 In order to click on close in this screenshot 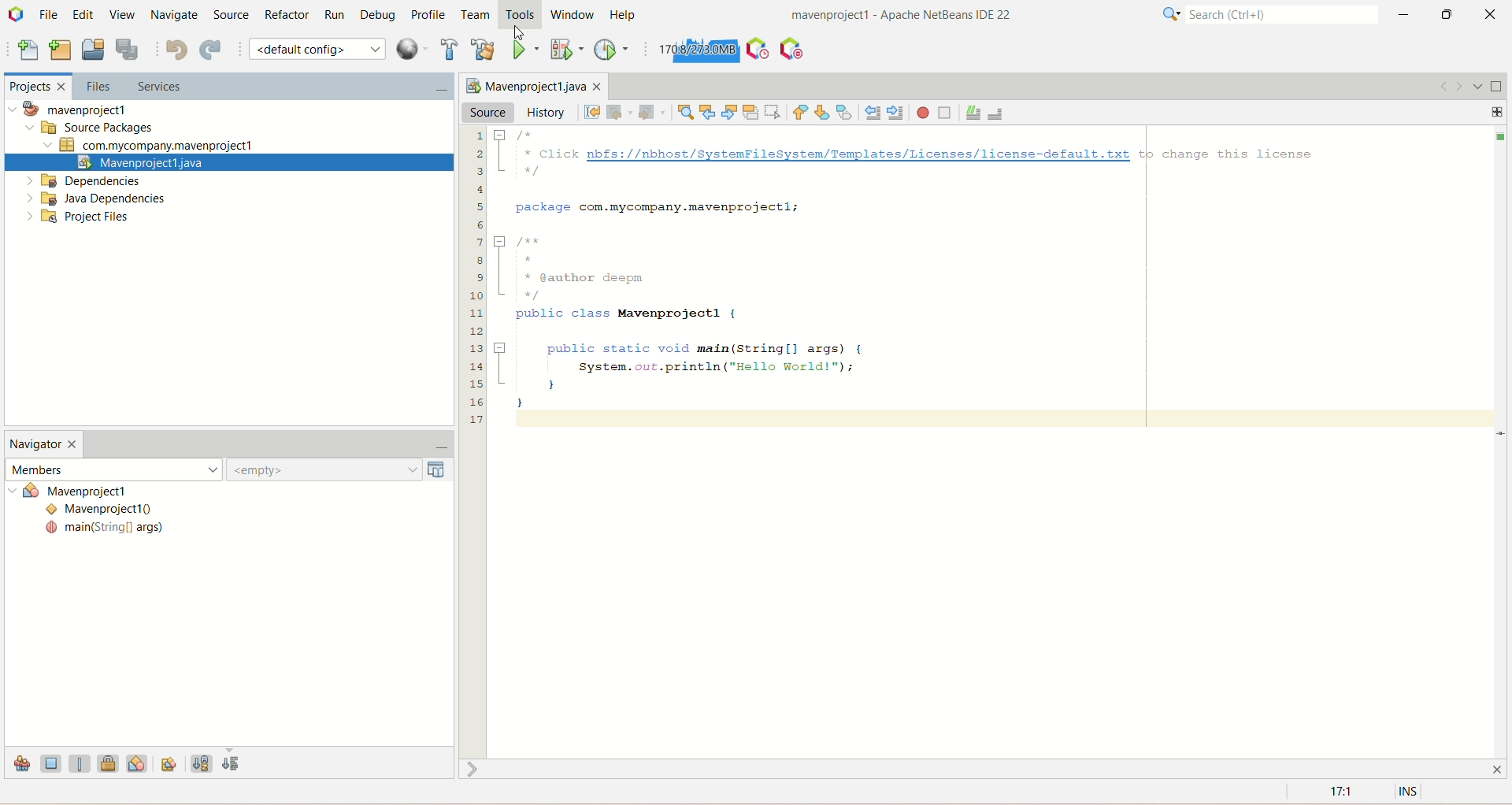, I will do `click(1494, 13)`.